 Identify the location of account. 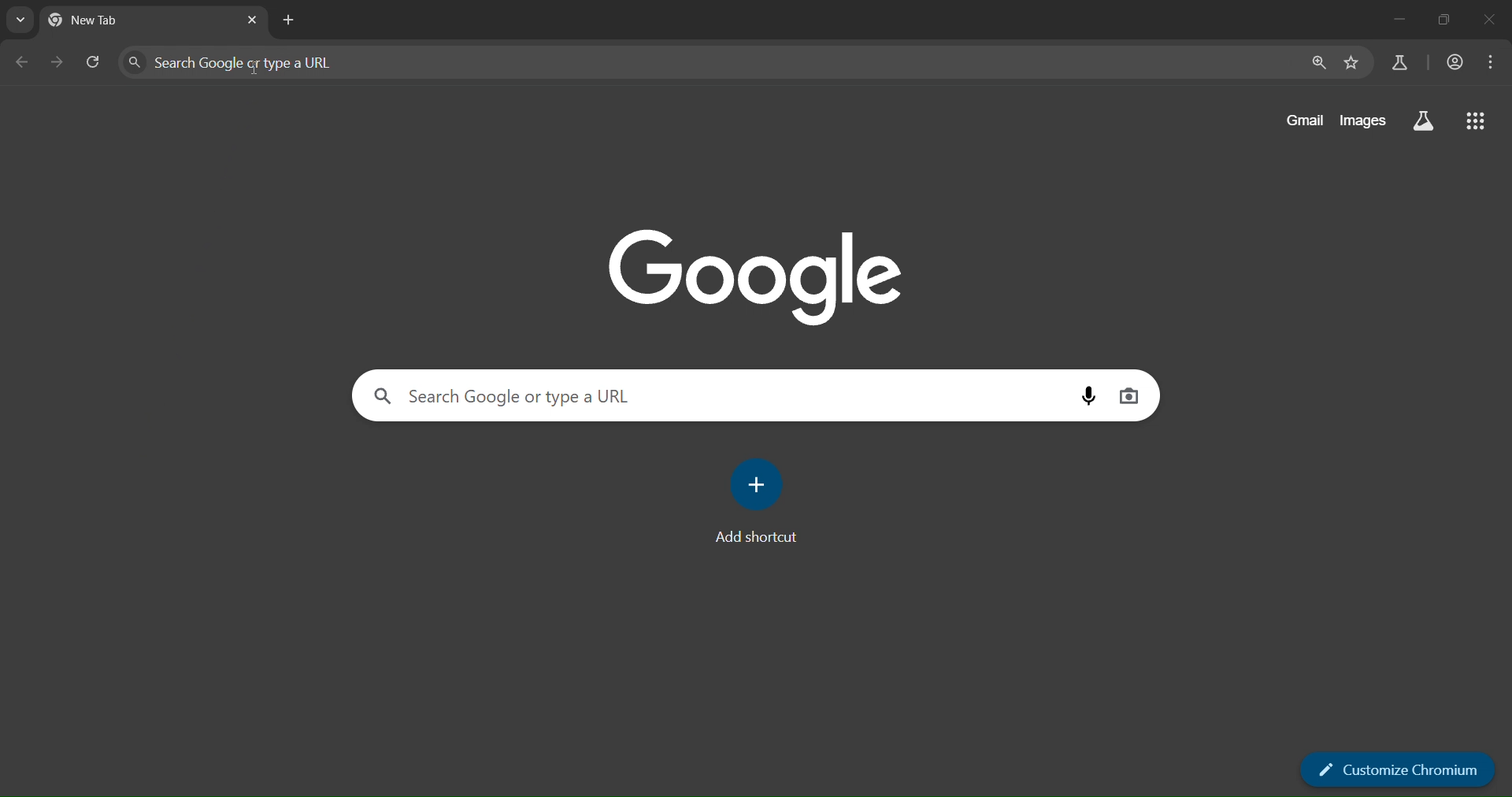
(1455, 65).